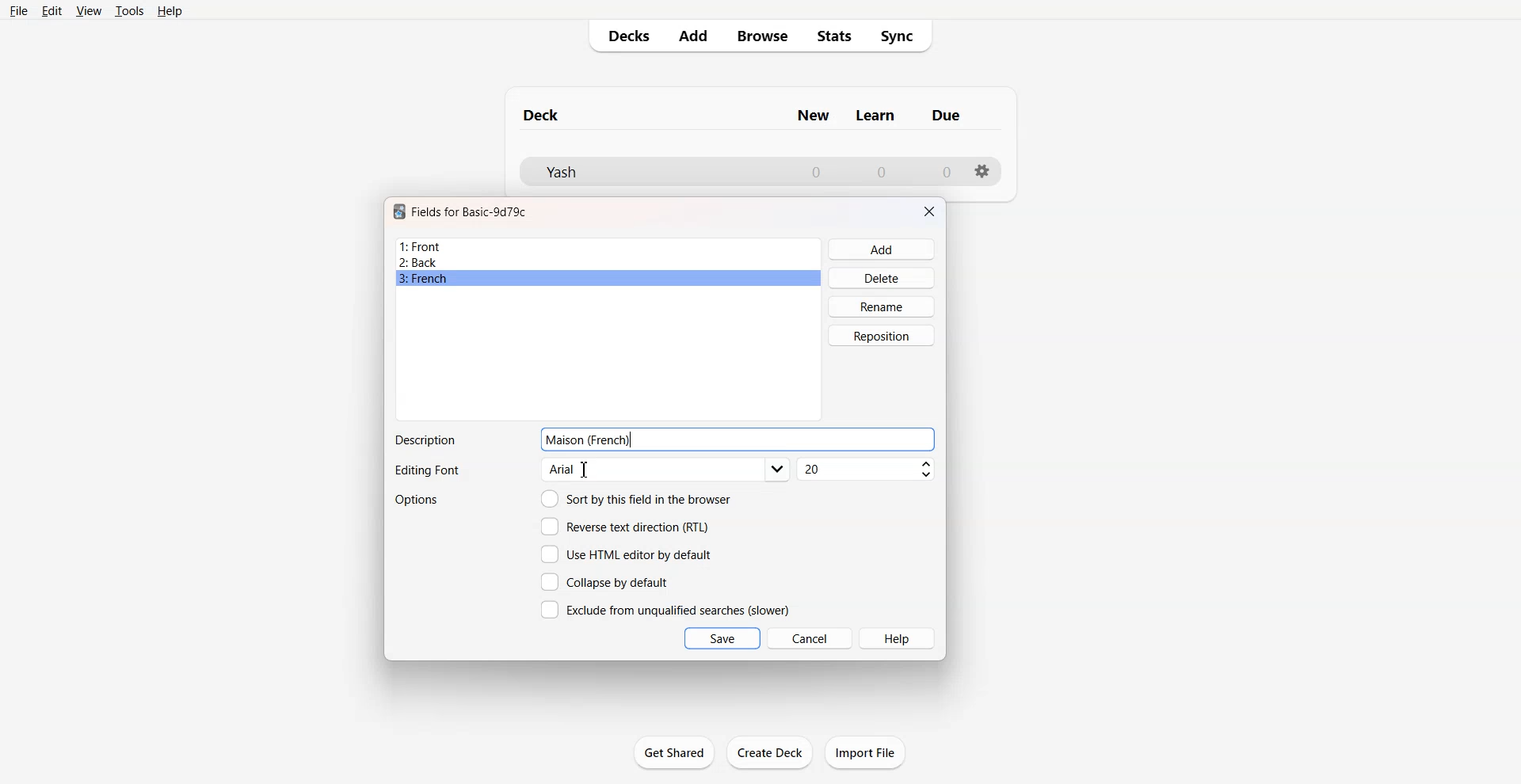  I want to click on Enter Description, so click(788, 440).